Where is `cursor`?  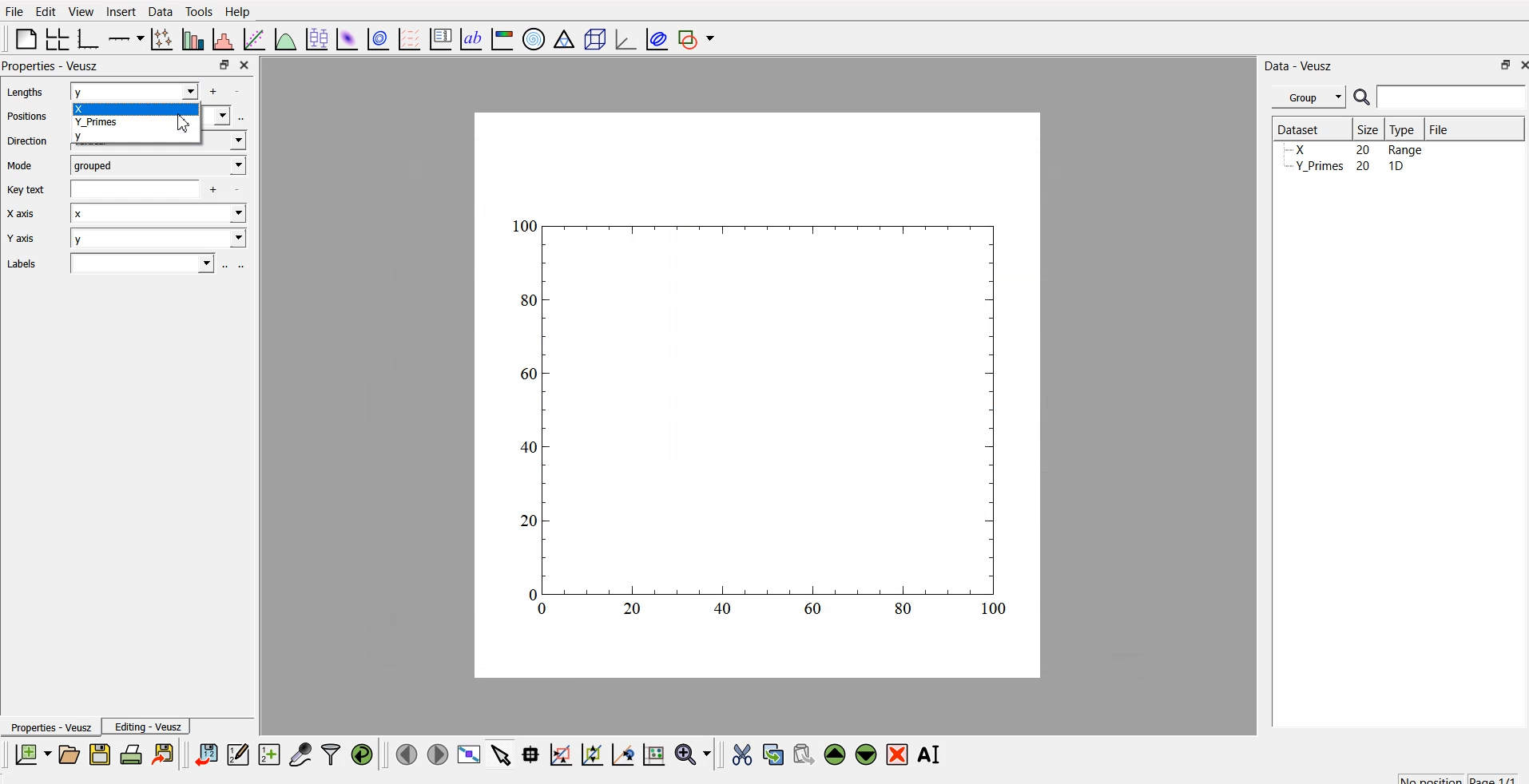
cursor is located at coordinates (184, 126).